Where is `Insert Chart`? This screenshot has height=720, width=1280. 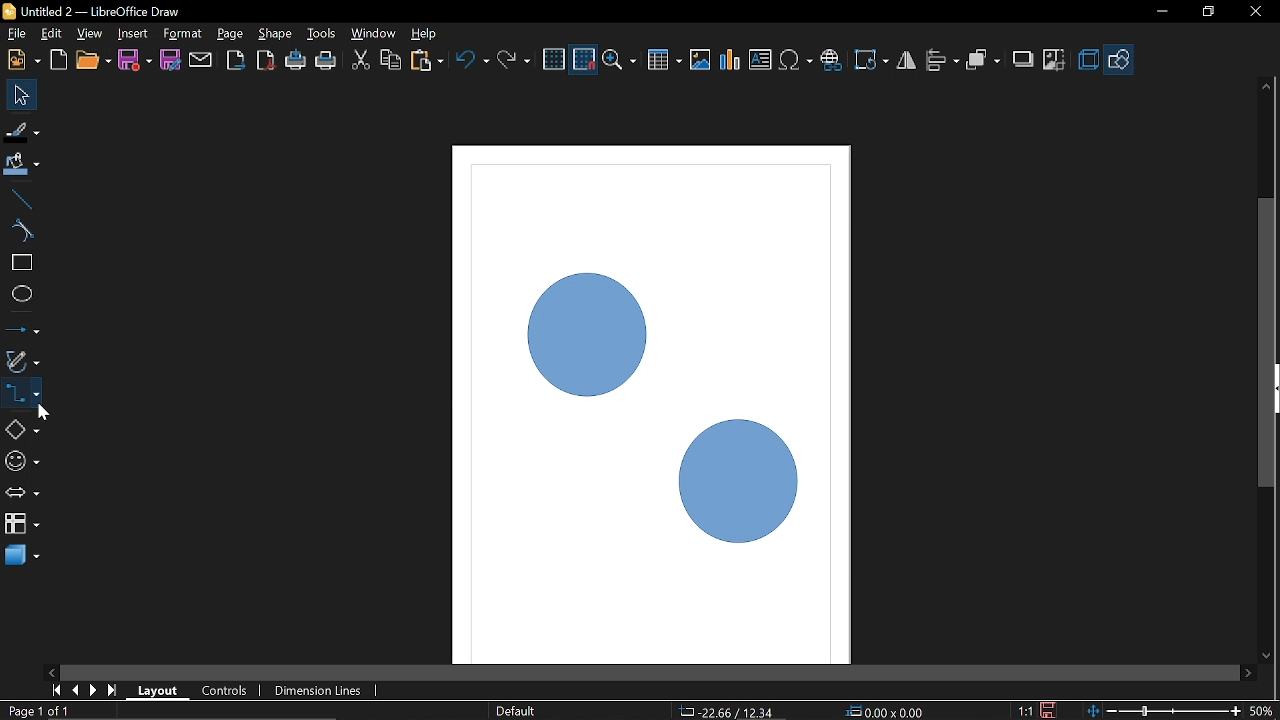
Insert Chart is located at coordinates (730, 61).